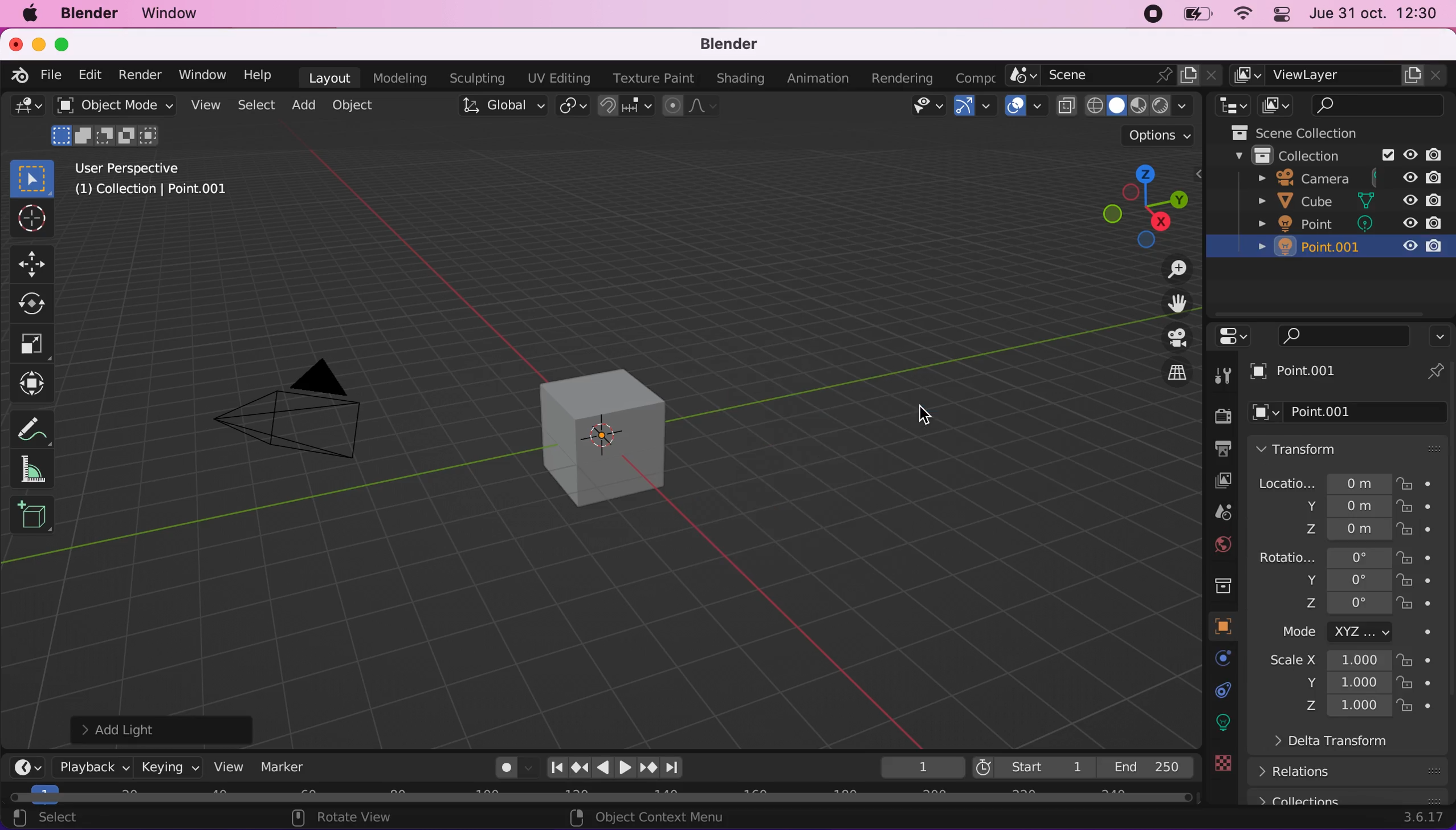 The height and width of the screenshot is (830, 1456). What do you see at coordinates (736, 44) in the screenshot?
I see `blender` at bounding box center [736, 44].